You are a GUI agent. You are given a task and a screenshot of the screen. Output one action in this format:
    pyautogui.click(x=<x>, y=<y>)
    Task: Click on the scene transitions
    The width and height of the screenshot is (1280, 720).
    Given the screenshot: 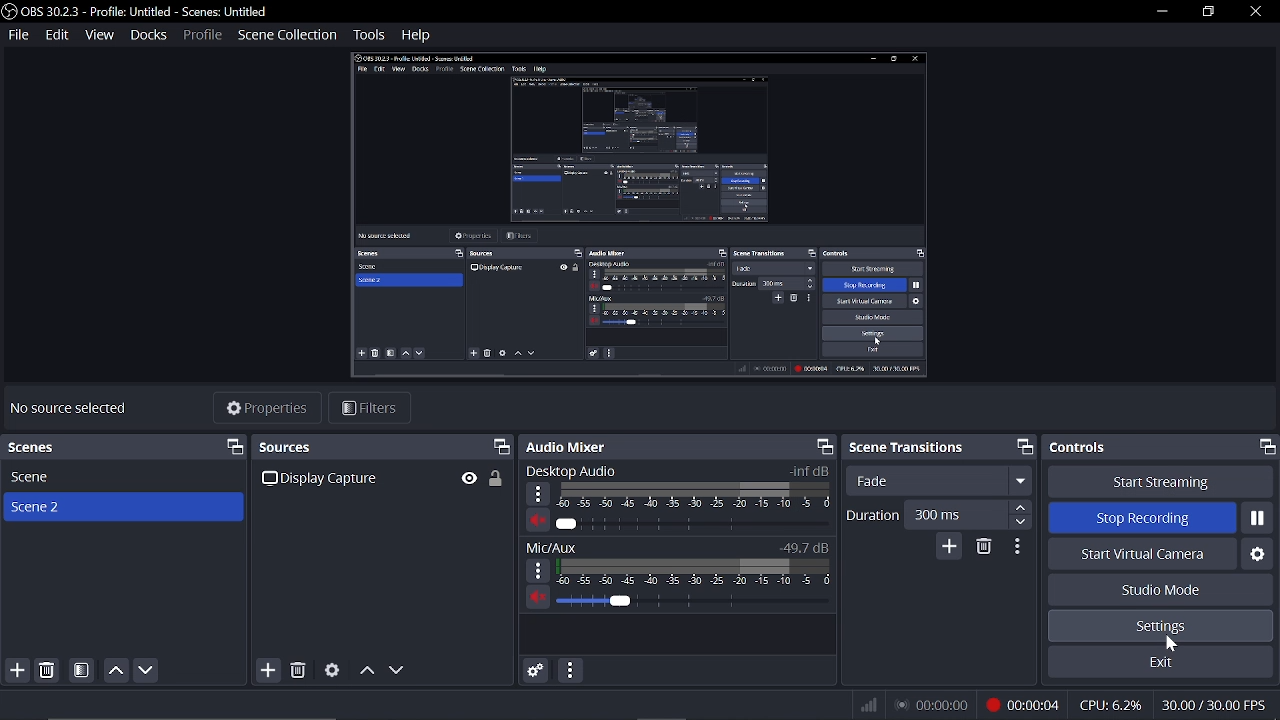 What is the action you would take?
    pyautogui.click(x=908, y=446)
    